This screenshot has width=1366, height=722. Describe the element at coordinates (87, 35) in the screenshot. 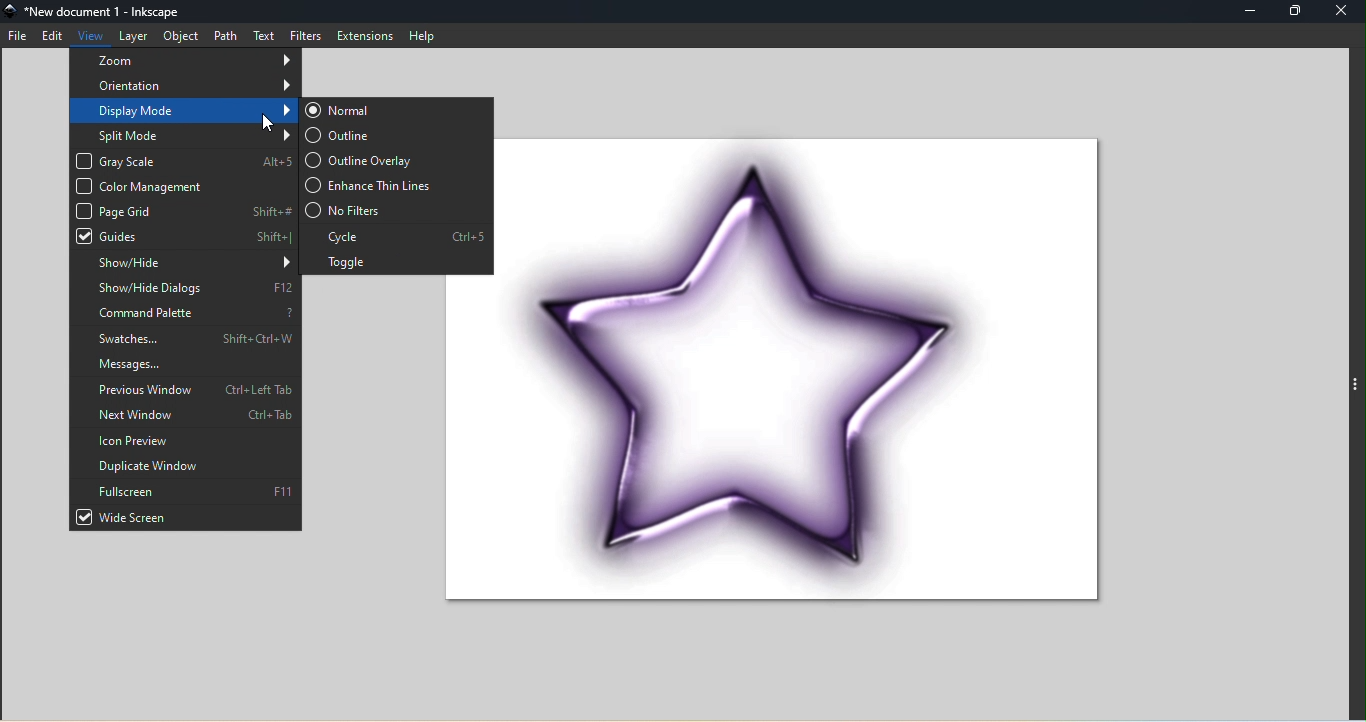

I see `View` at that location.